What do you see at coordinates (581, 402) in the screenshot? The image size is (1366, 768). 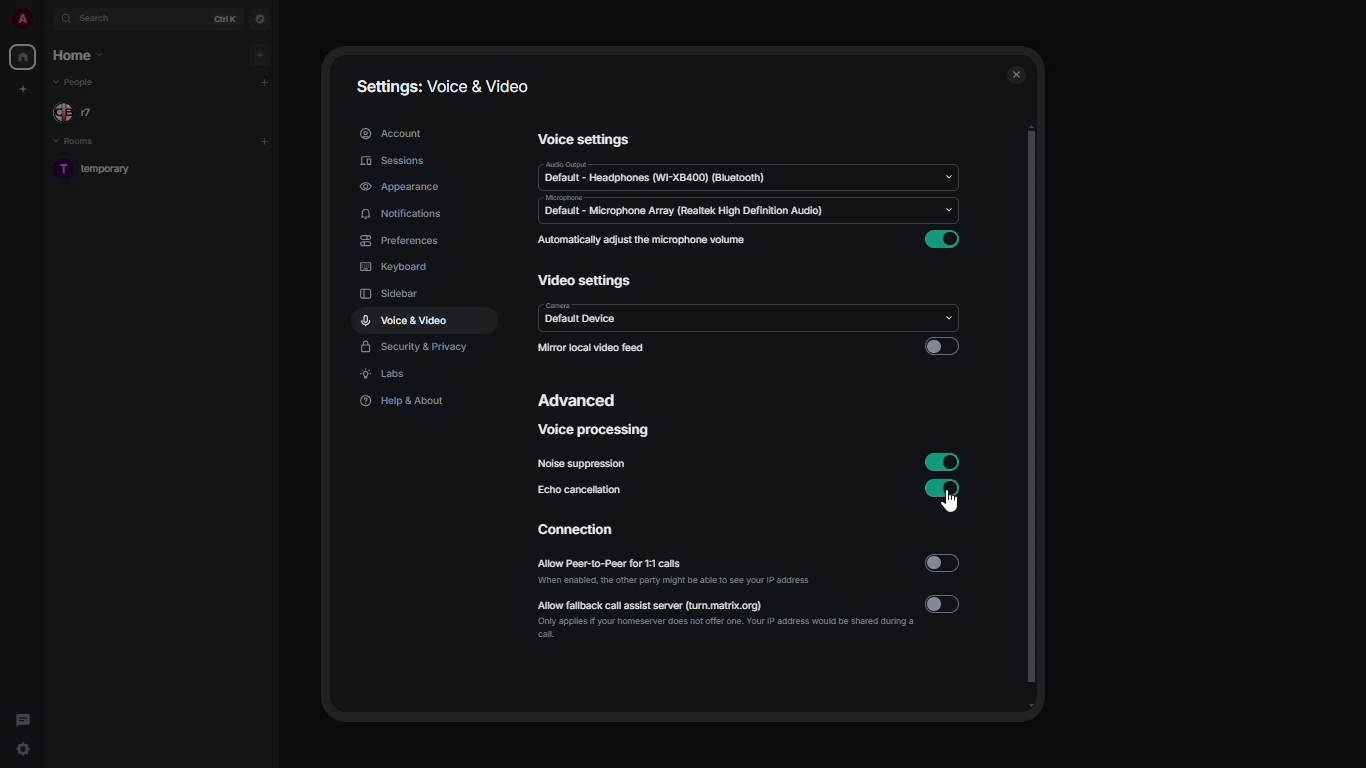 I see `advanced` at bounding box center [581, 402].